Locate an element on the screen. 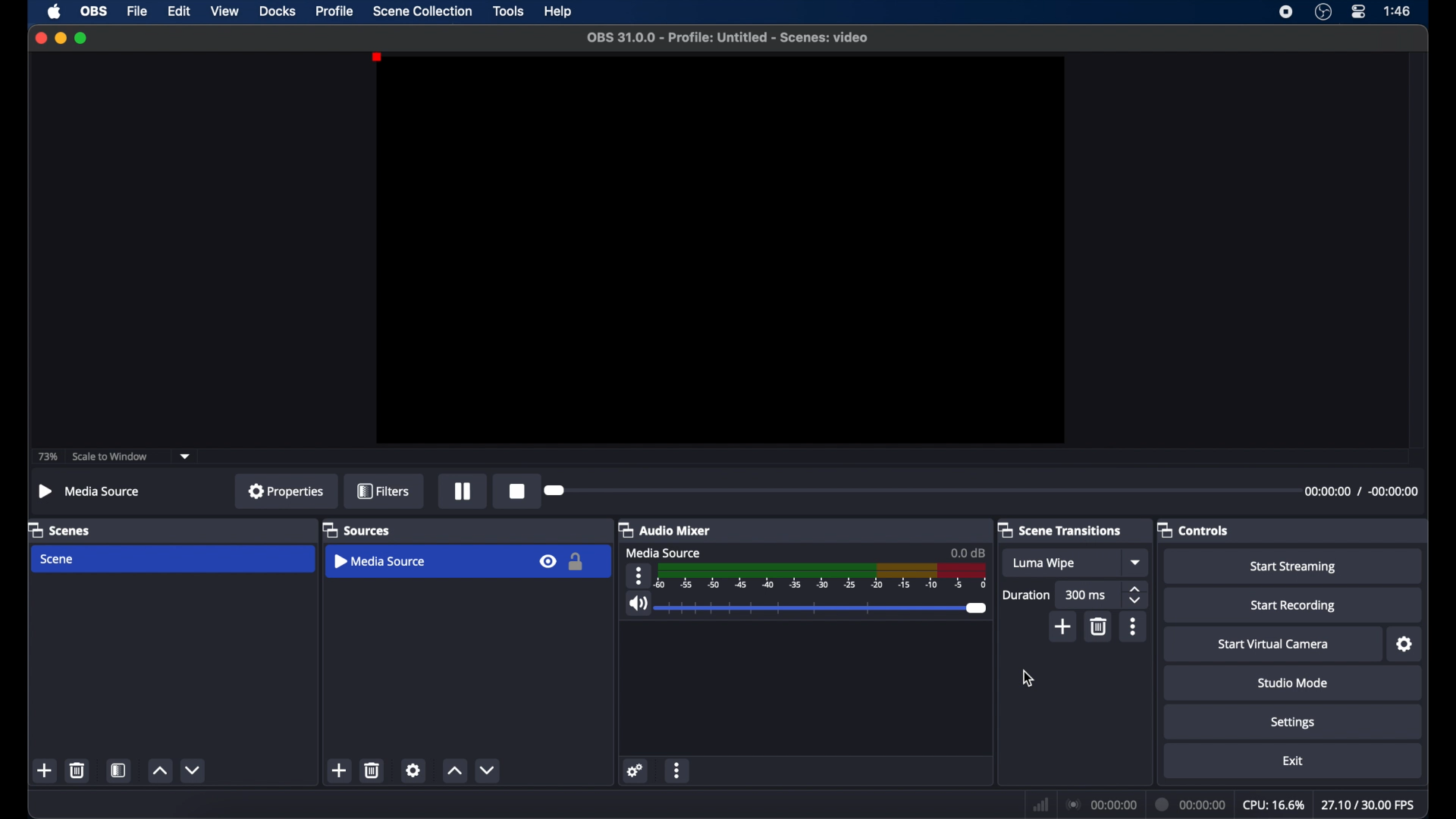  start virtual camera is located at coordinates (1277, 645).